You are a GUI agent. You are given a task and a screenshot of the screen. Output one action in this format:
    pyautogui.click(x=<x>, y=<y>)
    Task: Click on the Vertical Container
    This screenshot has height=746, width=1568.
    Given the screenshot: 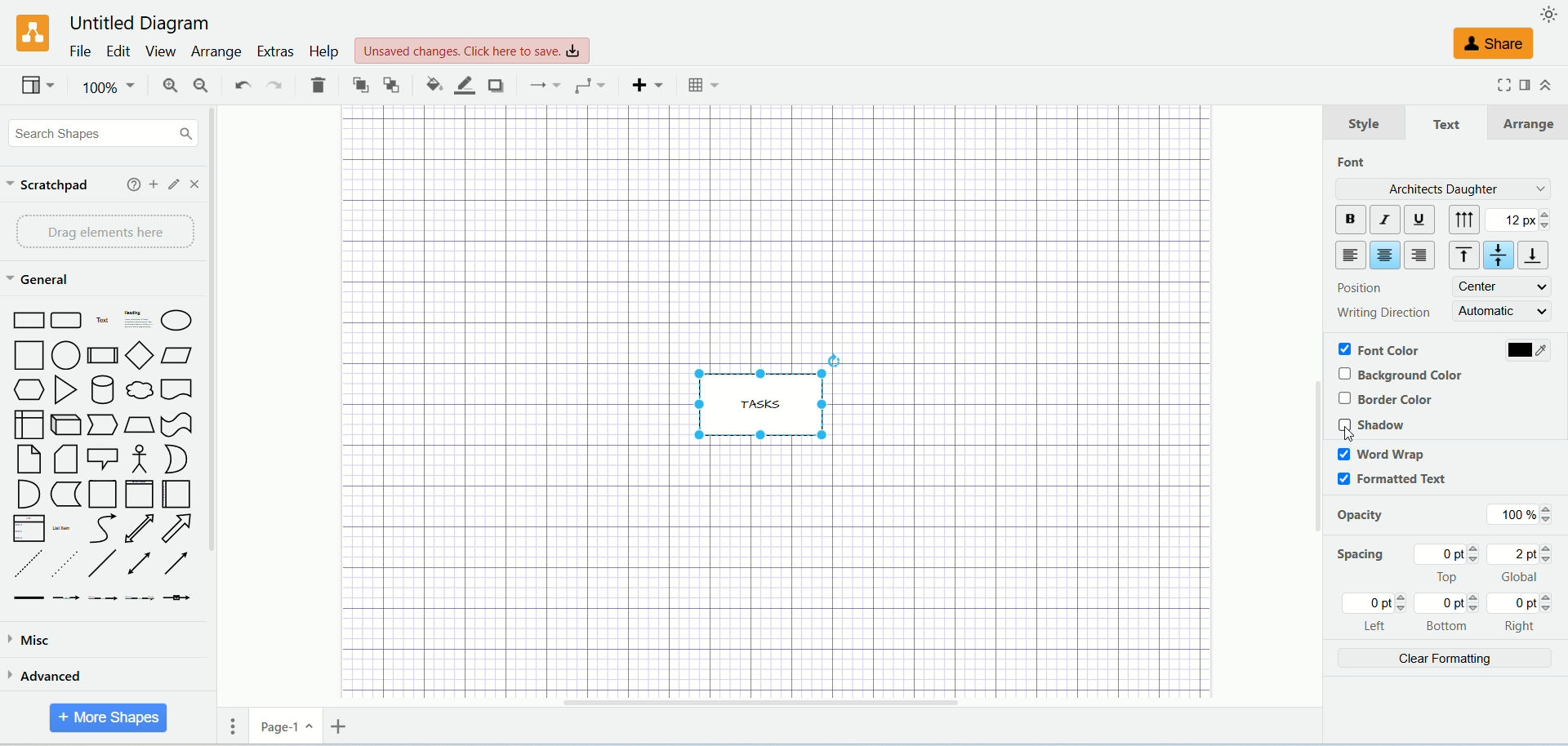 What is the action you would take?
    pyautogui.click(x=139, y=494)
    